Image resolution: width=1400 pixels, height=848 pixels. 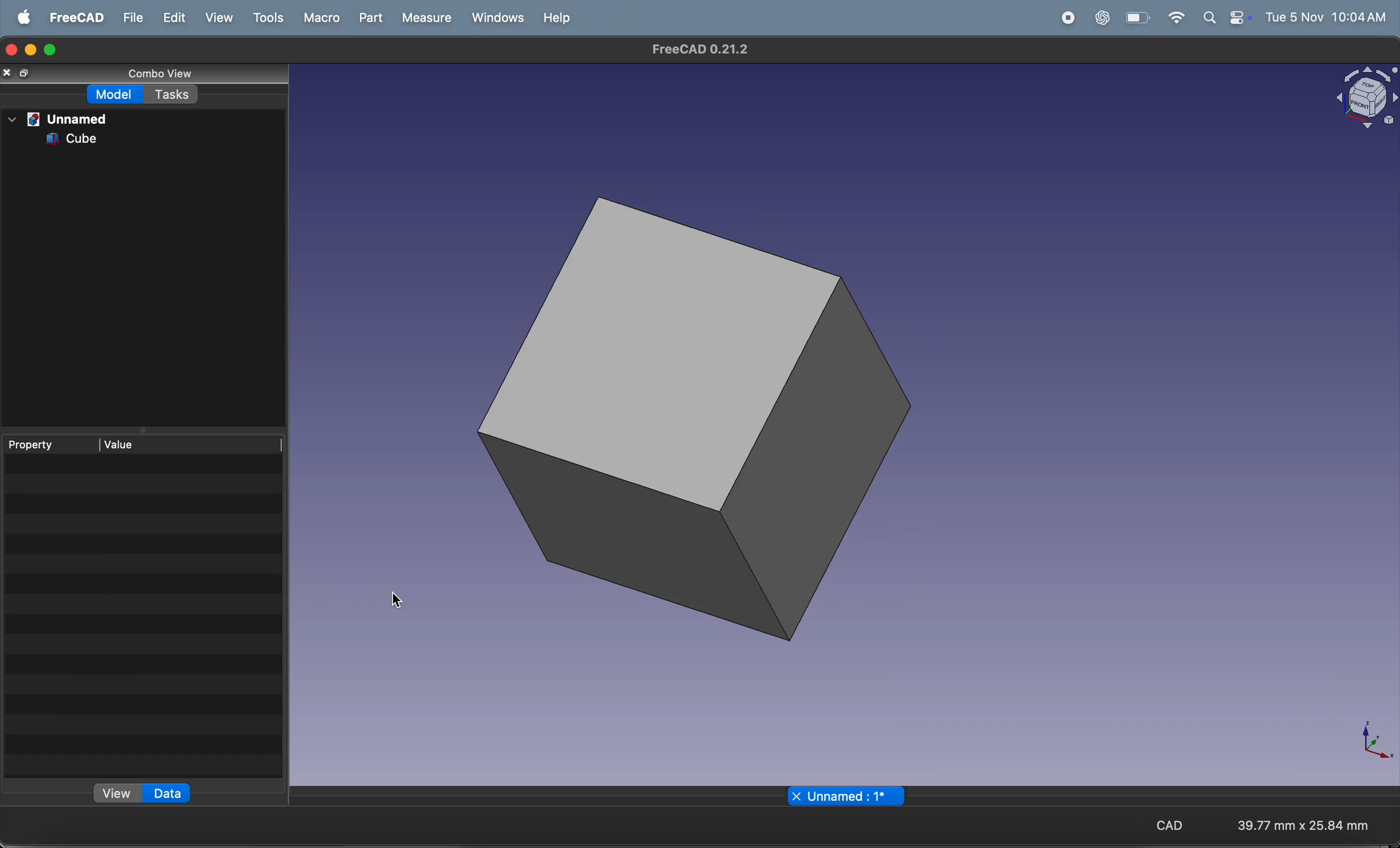 I want to click on view, so click(x=109, y=792).